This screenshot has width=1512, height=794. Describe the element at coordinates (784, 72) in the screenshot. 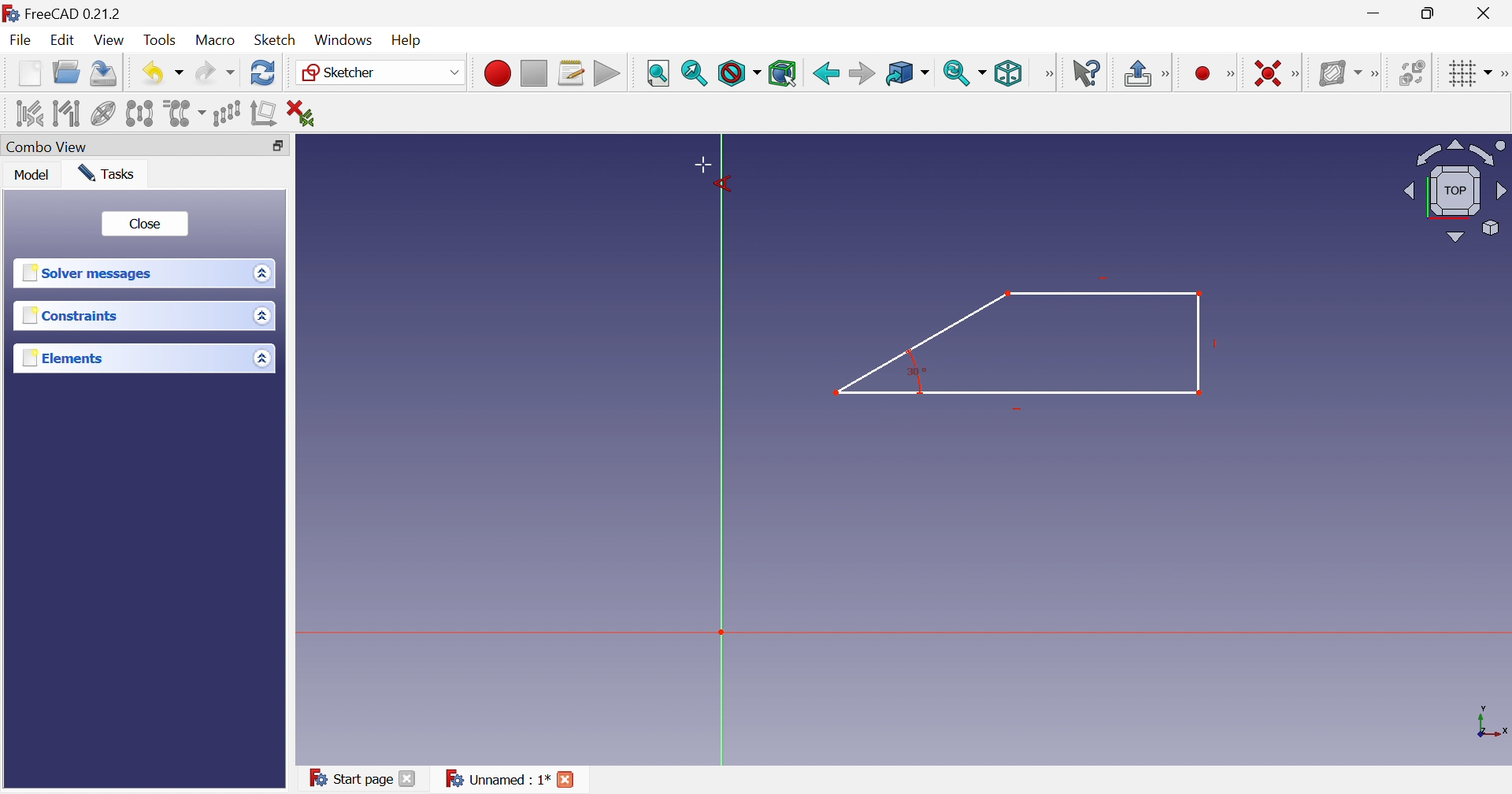

I see `Bounding box` at that location.